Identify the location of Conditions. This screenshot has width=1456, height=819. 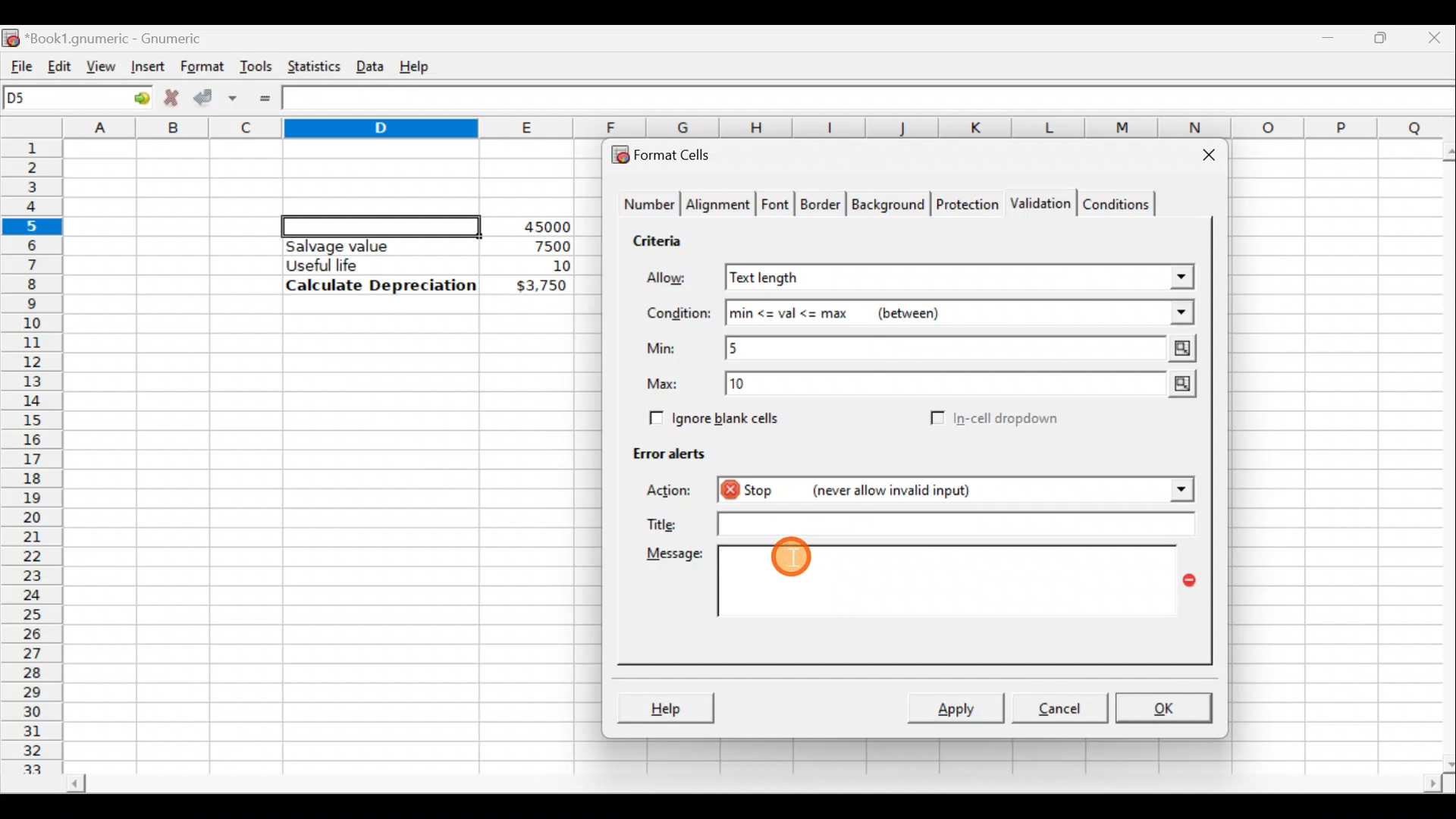
(1116, 203).